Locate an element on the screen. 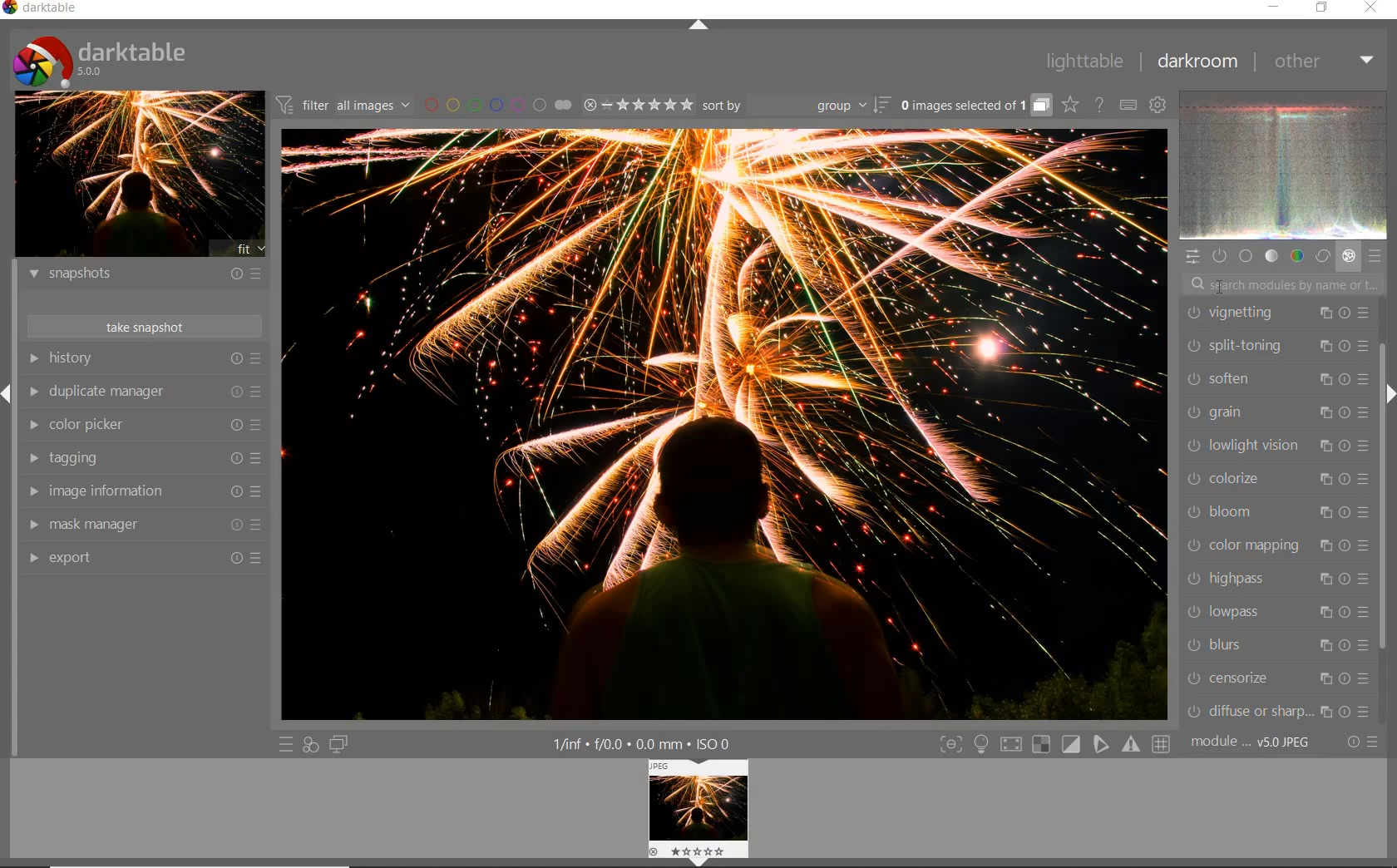 The height and width of the screenshot is (868, 1397). sort is located at coordinates (795, 106).